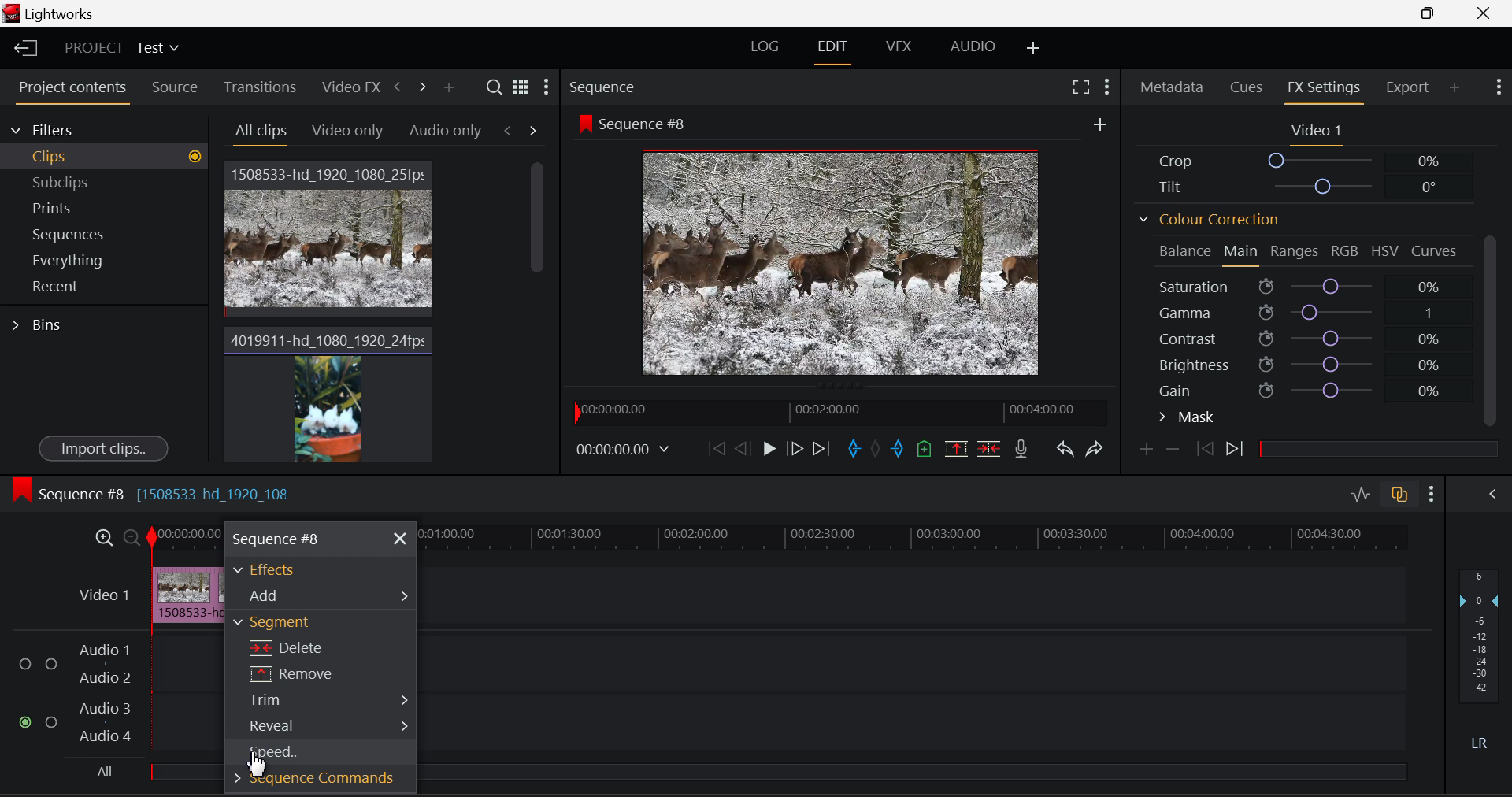  I want to click on [1508533-hd_1920_108, so click(217, 495).